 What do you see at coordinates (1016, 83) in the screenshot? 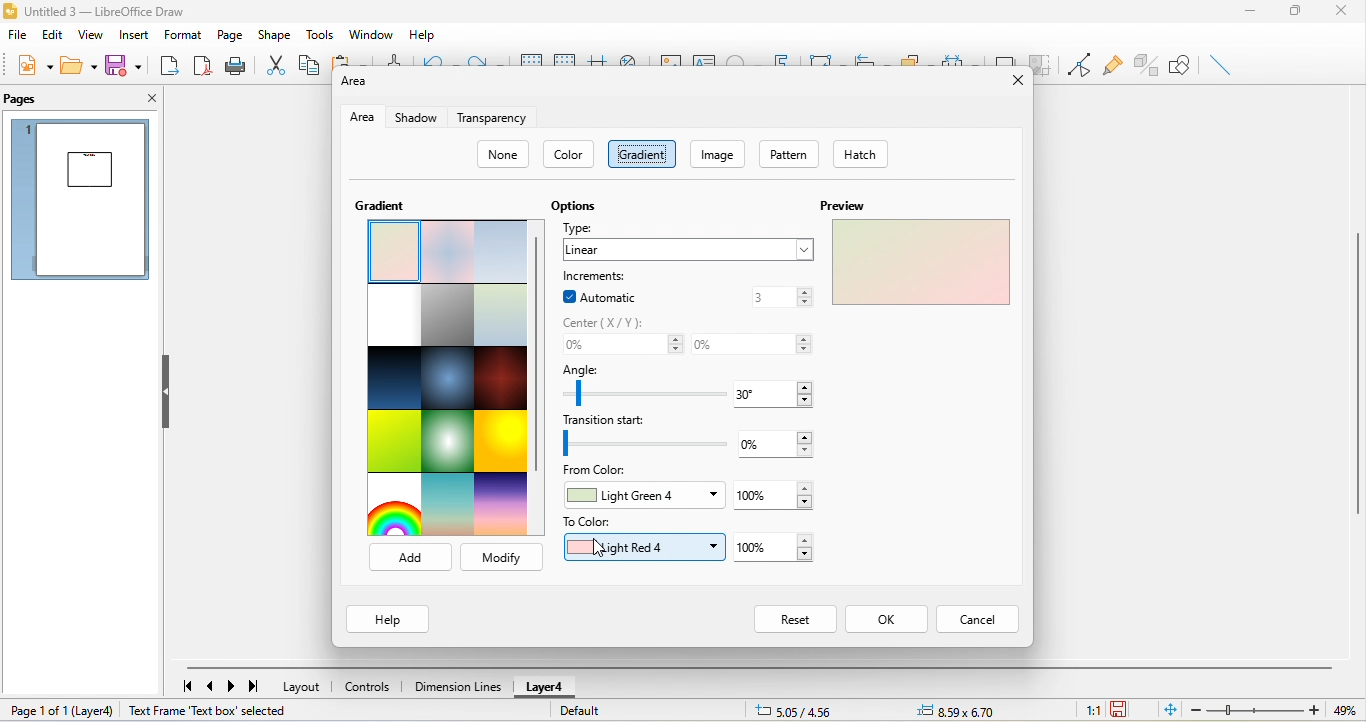
I see `close` at bounding box center [1016, 83].